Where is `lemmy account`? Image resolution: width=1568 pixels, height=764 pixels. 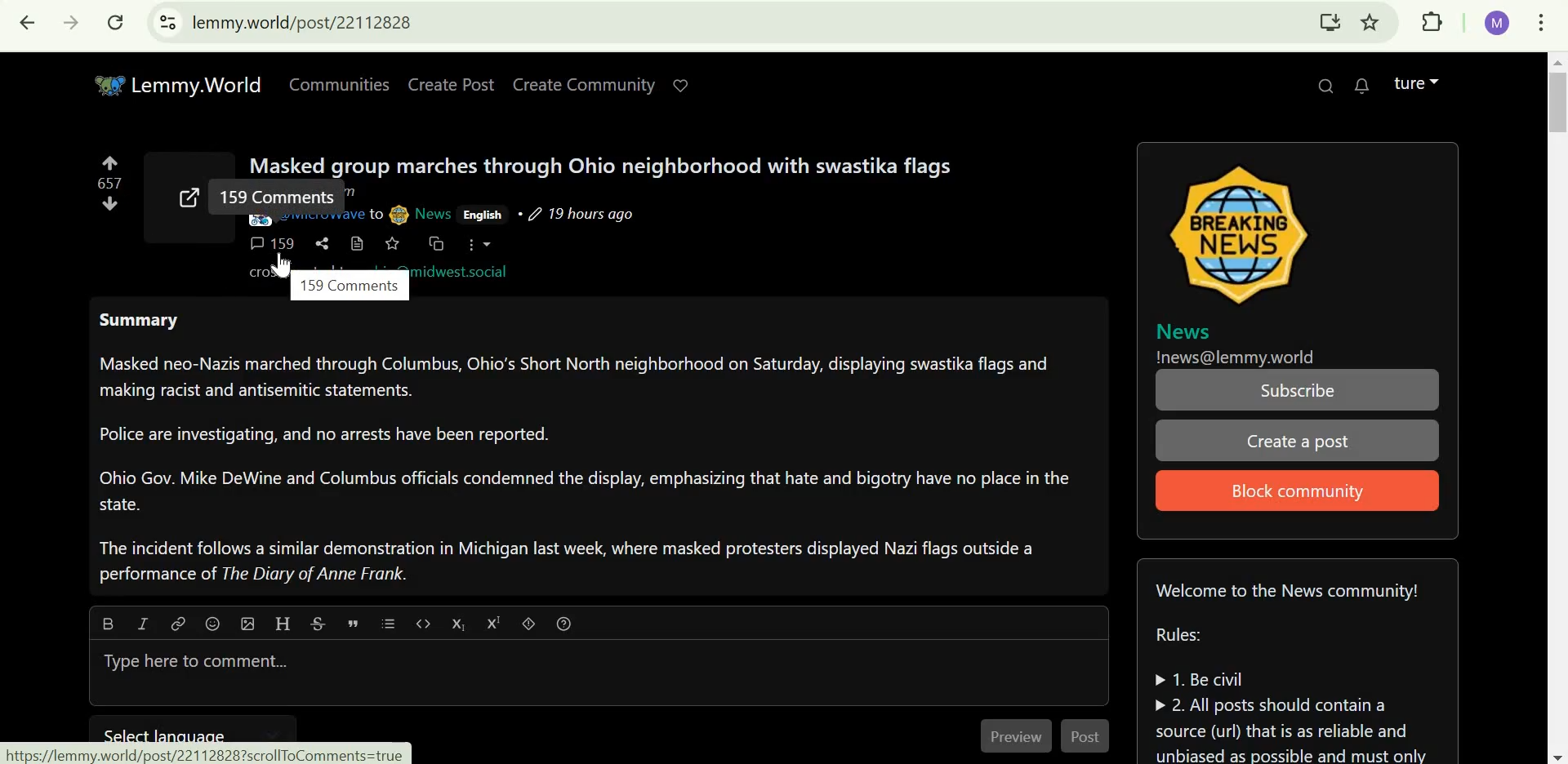
lemmy account is located at coordinates (1418, 84).